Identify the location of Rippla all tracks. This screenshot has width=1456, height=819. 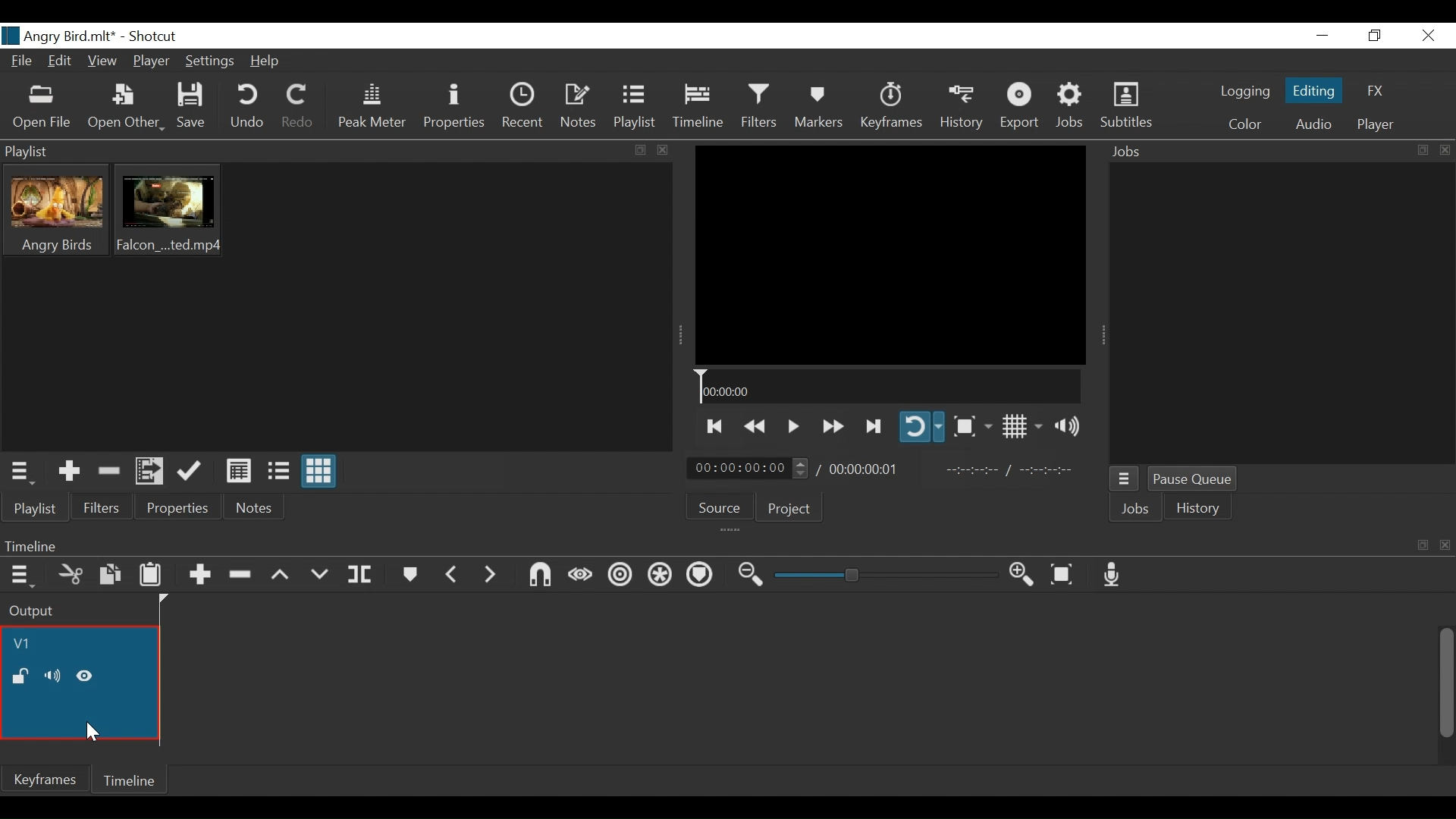
(661, 576).